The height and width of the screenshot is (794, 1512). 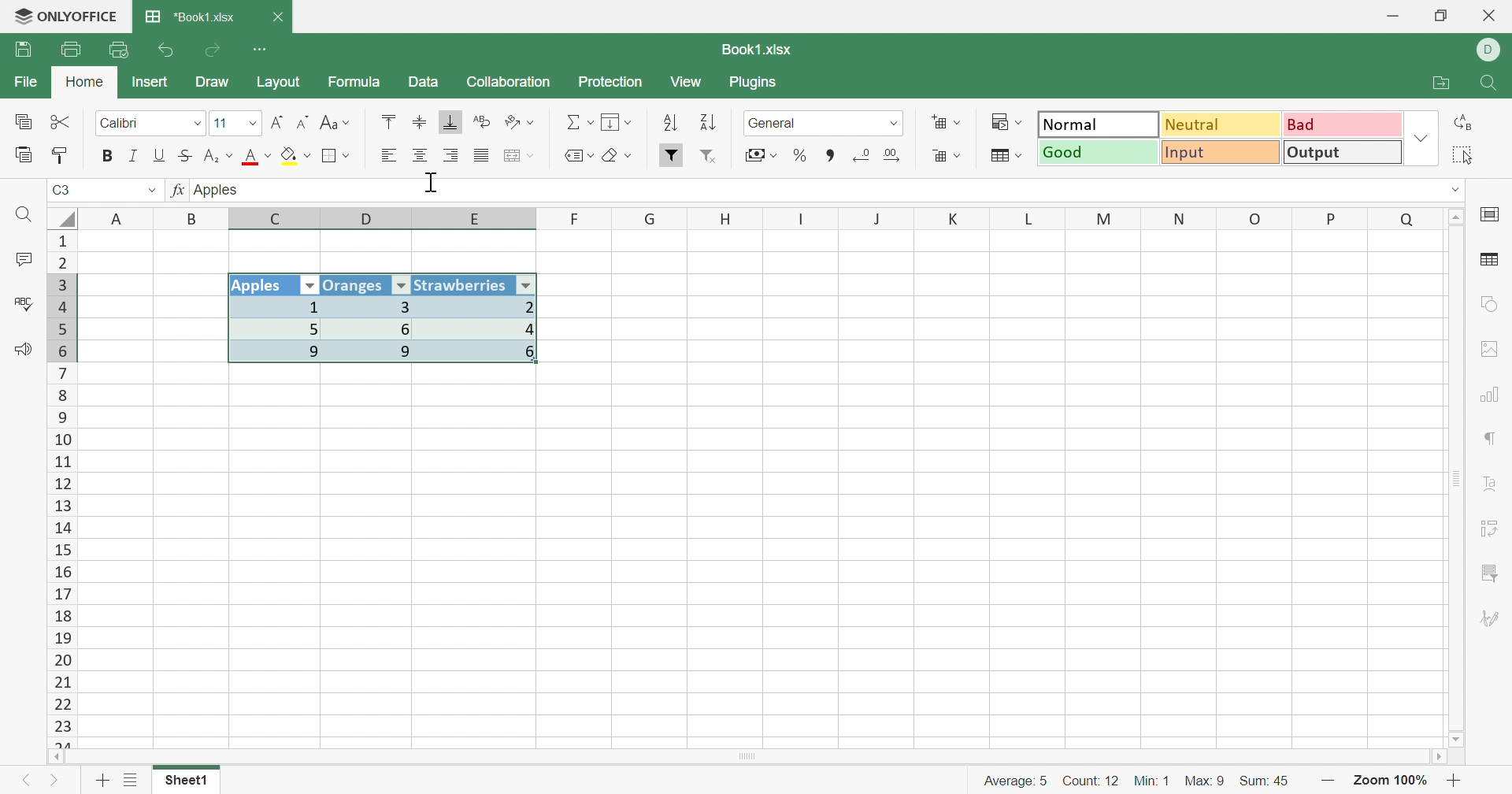 What do you see at coordinates (336, 156) in the screenshot?
I see `Borders` at bounding box center [336, 156].